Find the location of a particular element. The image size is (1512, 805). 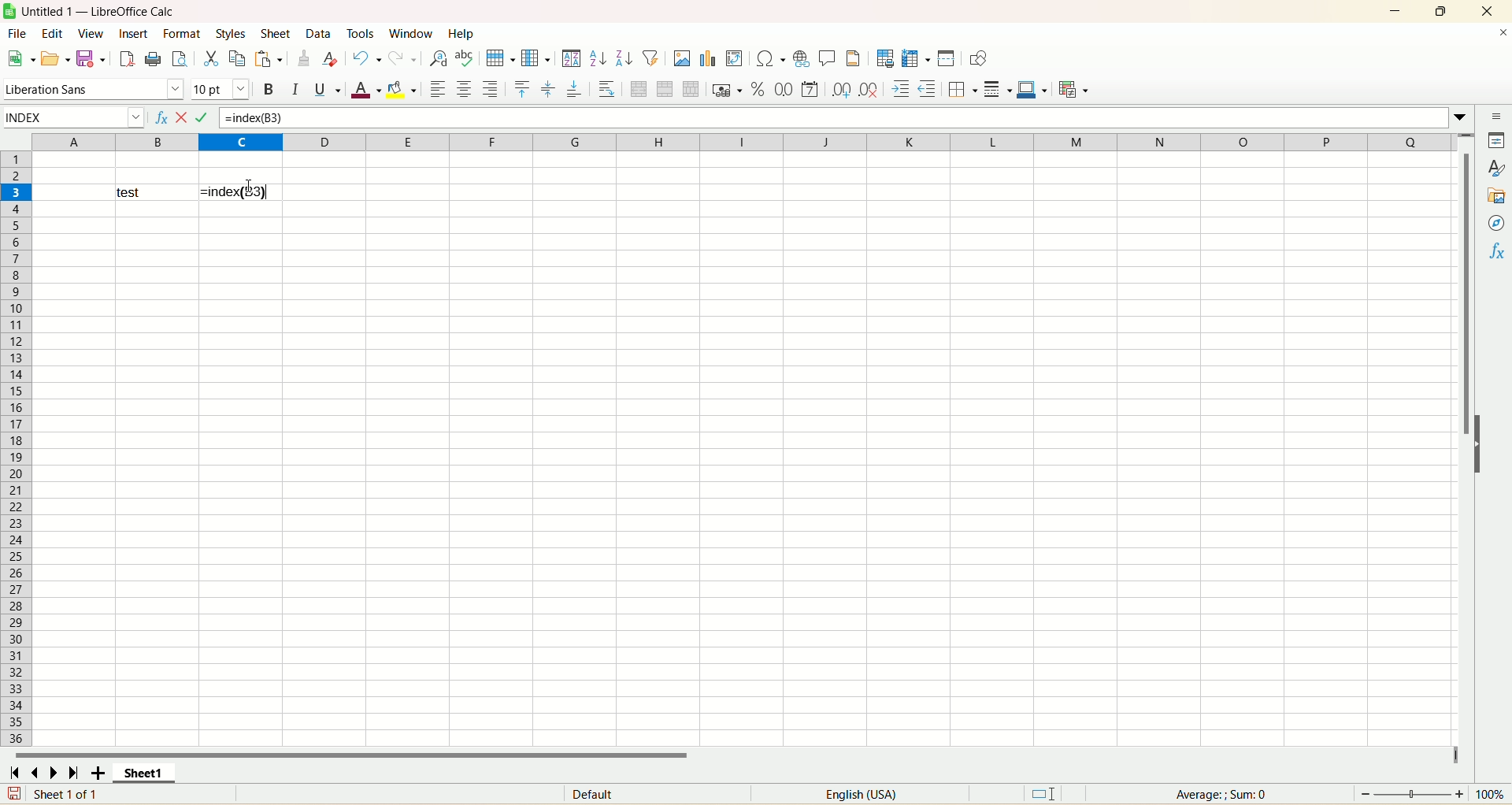

define print area is located at coordinates (885, 58).